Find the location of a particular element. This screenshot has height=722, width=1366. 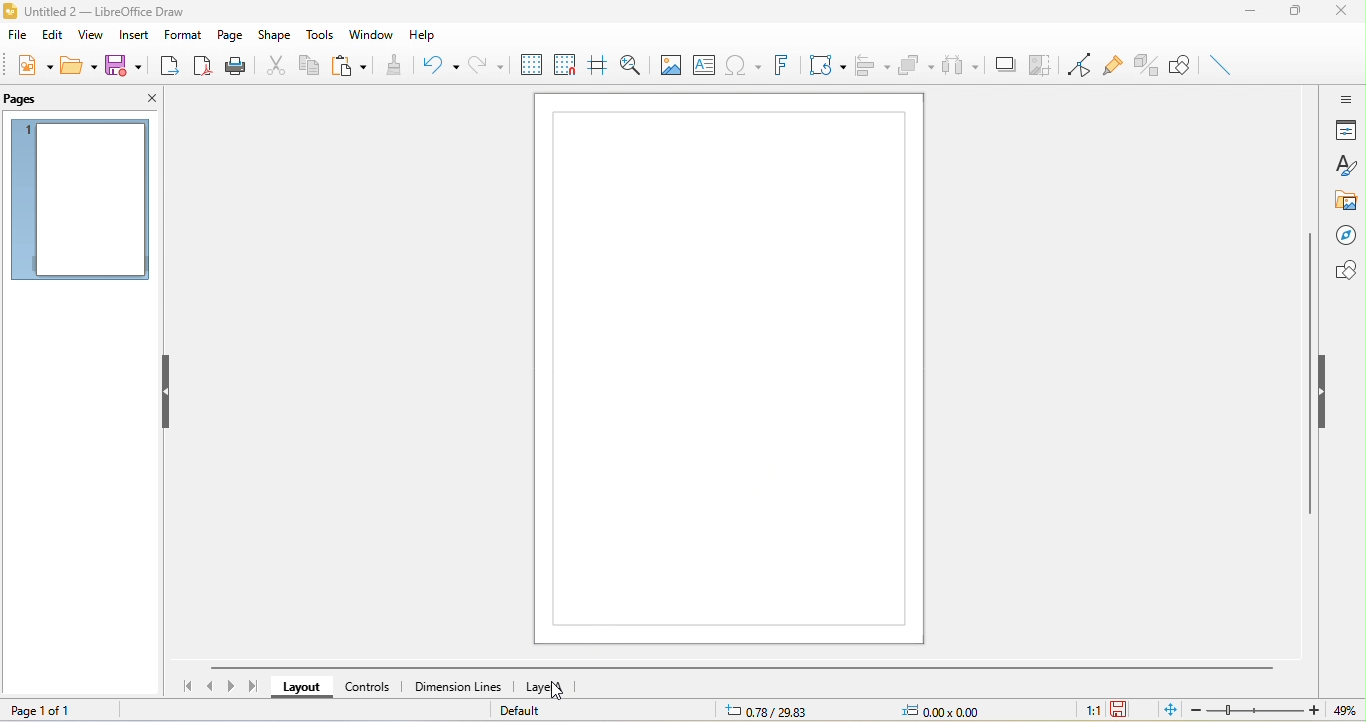

Hide is located at coordinates (167, 392).